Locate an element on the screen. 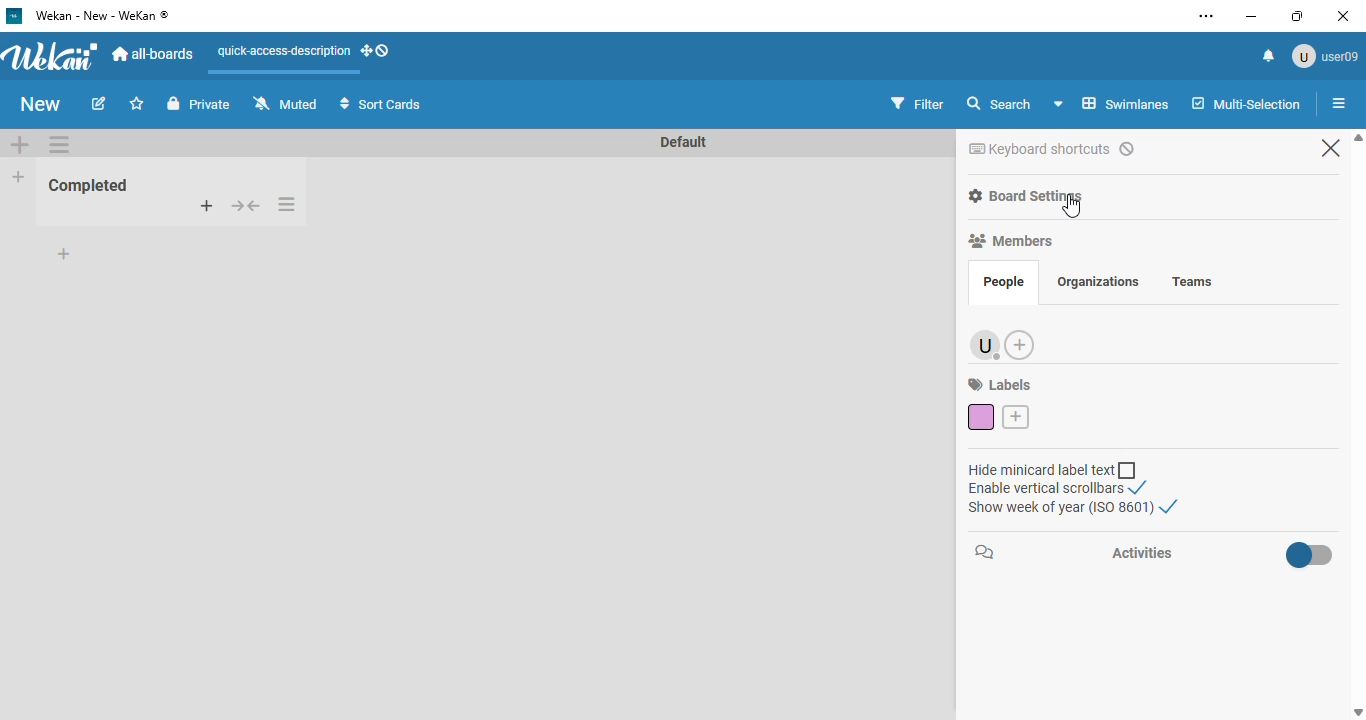 The width and height of the screenshot is (1366, 720). list actions is located at coordinates (1341, 104).